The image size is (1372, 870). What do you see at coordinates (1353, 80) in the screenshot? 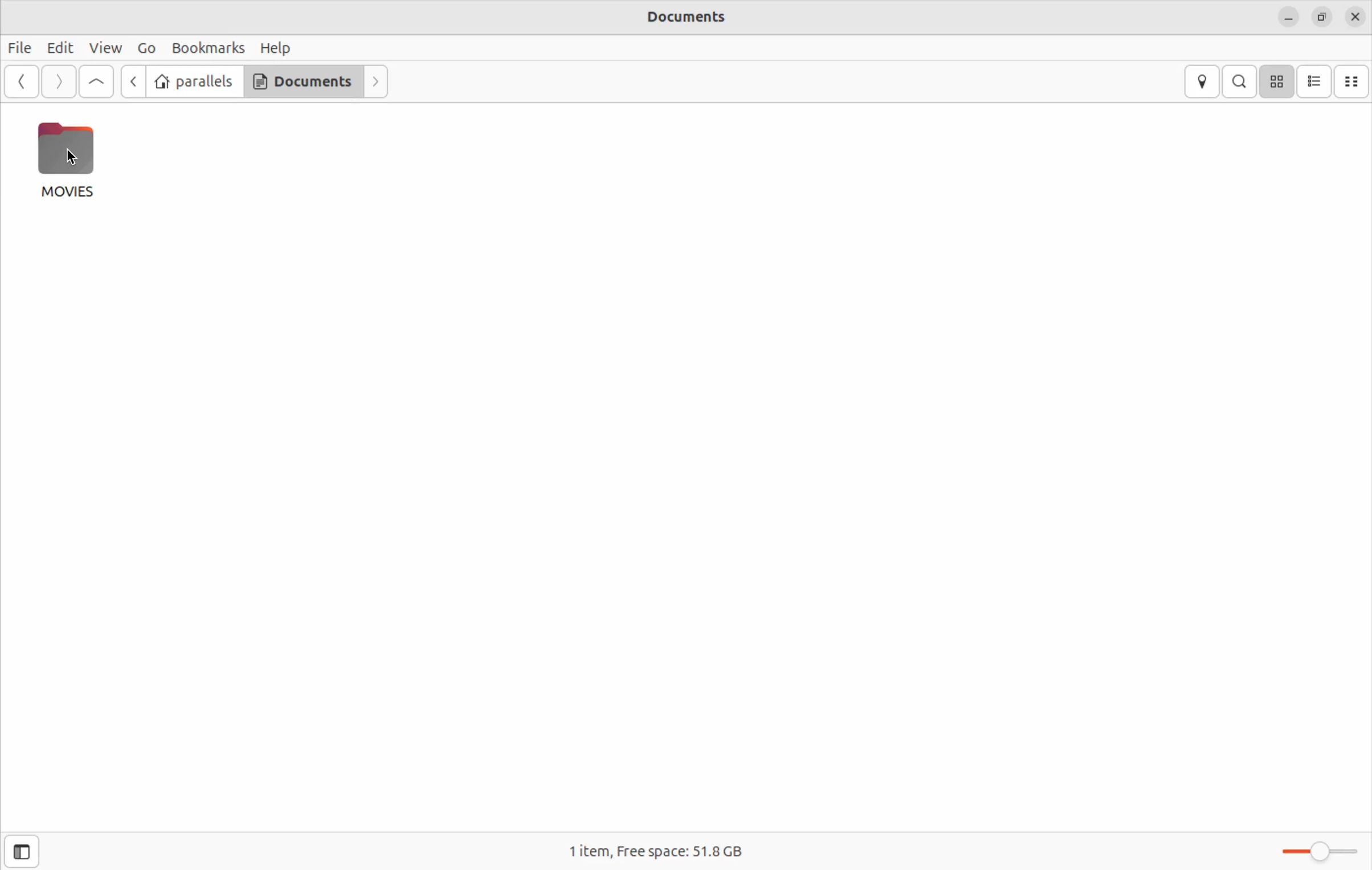
I see `Documents` at bounding box center [1353, 80].